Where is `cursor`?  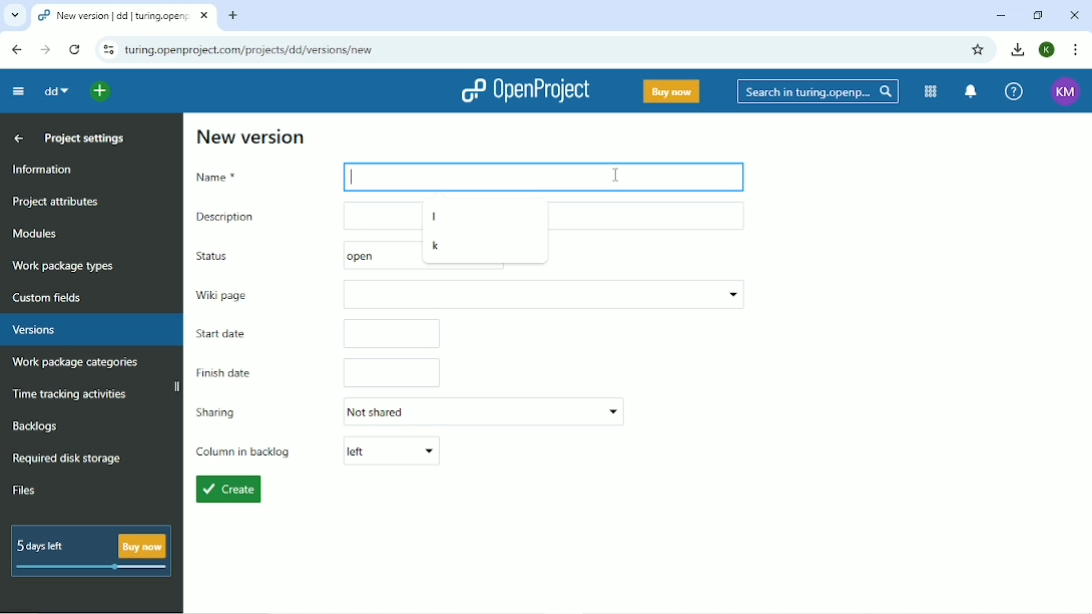 cursor is located at coordinates (612, 170).